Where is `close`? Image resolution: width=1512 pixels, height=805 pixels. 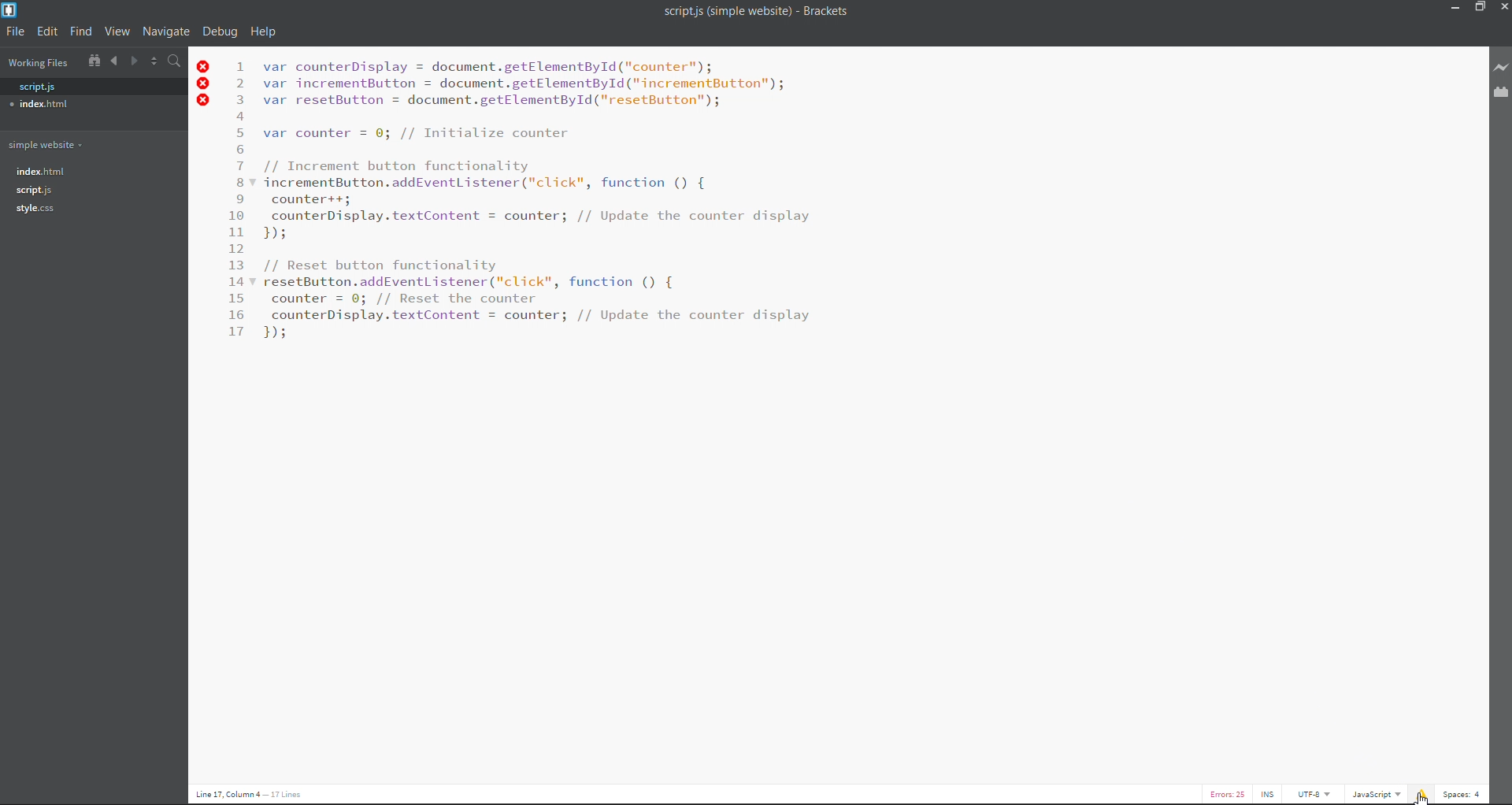 close is located at coordinates (1499, 7).